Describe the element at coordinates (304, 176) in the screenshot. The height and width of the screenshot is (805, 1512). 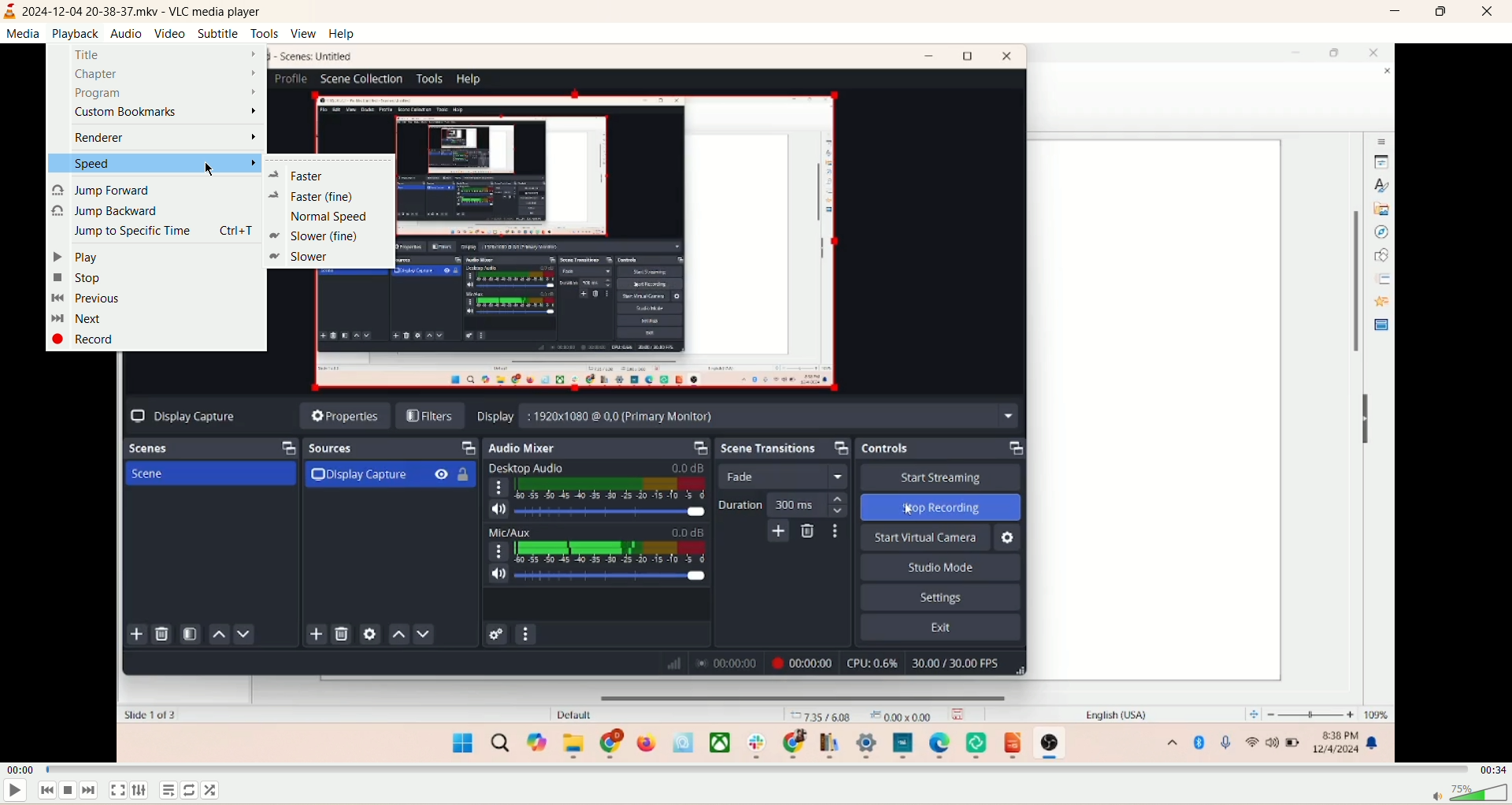
I see `faster` at that location.